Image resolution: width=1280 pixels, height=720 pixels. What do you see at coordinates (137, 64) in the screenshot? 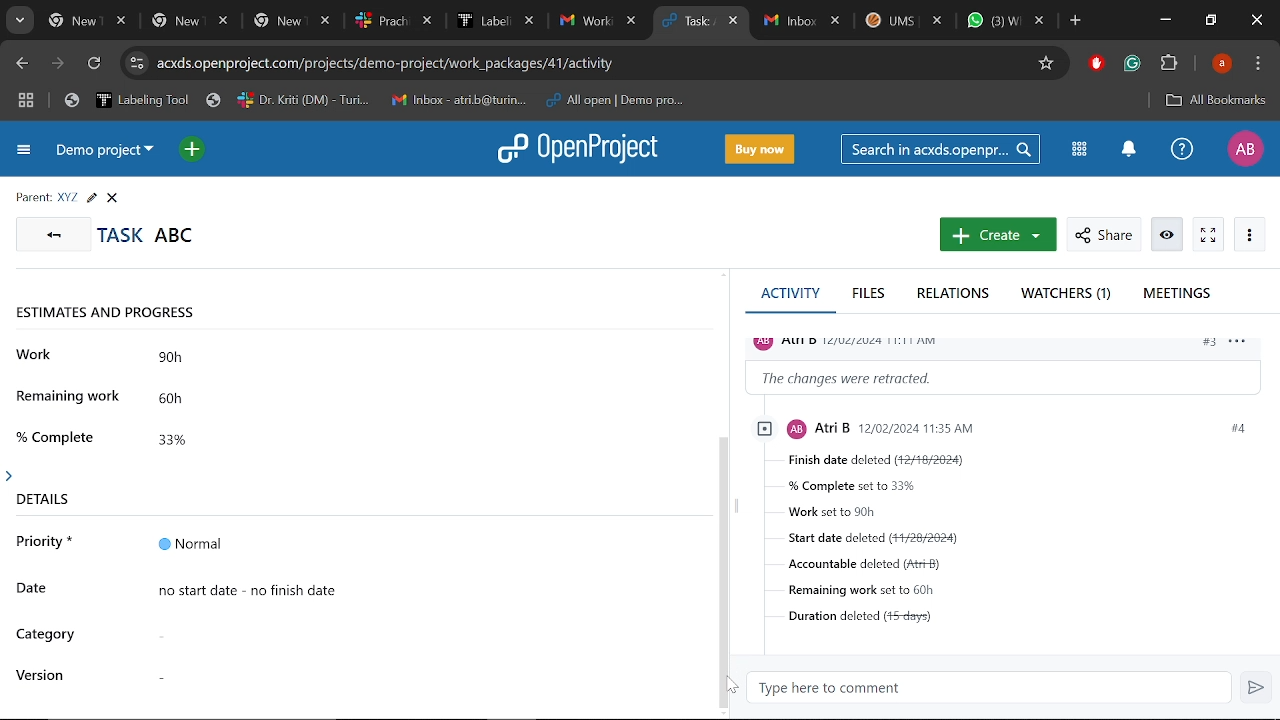
I see `Cite info` at bounding box center [137, 64].